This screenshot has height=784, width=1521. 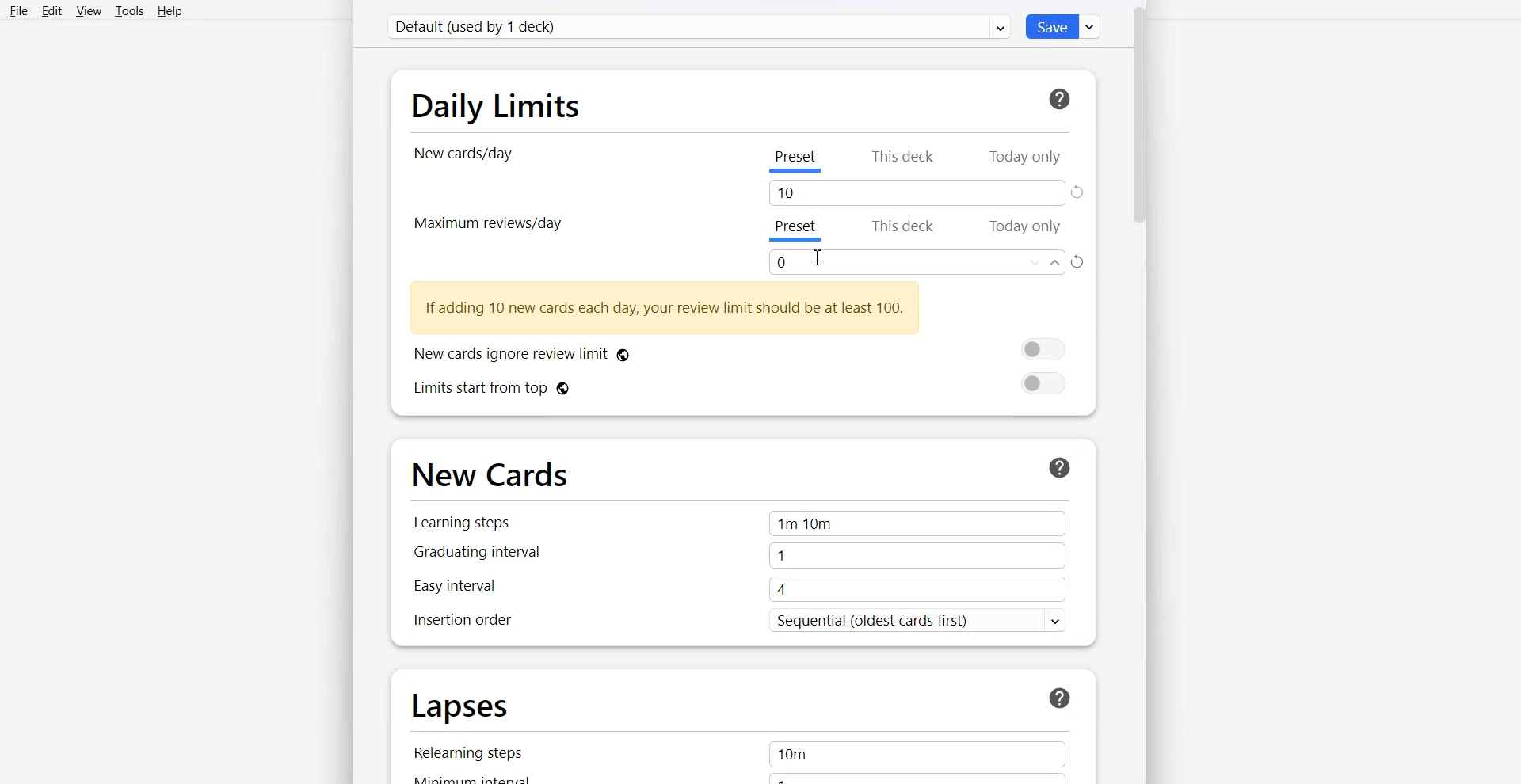 I want to click on New Cards, so click(x=494, y=476).